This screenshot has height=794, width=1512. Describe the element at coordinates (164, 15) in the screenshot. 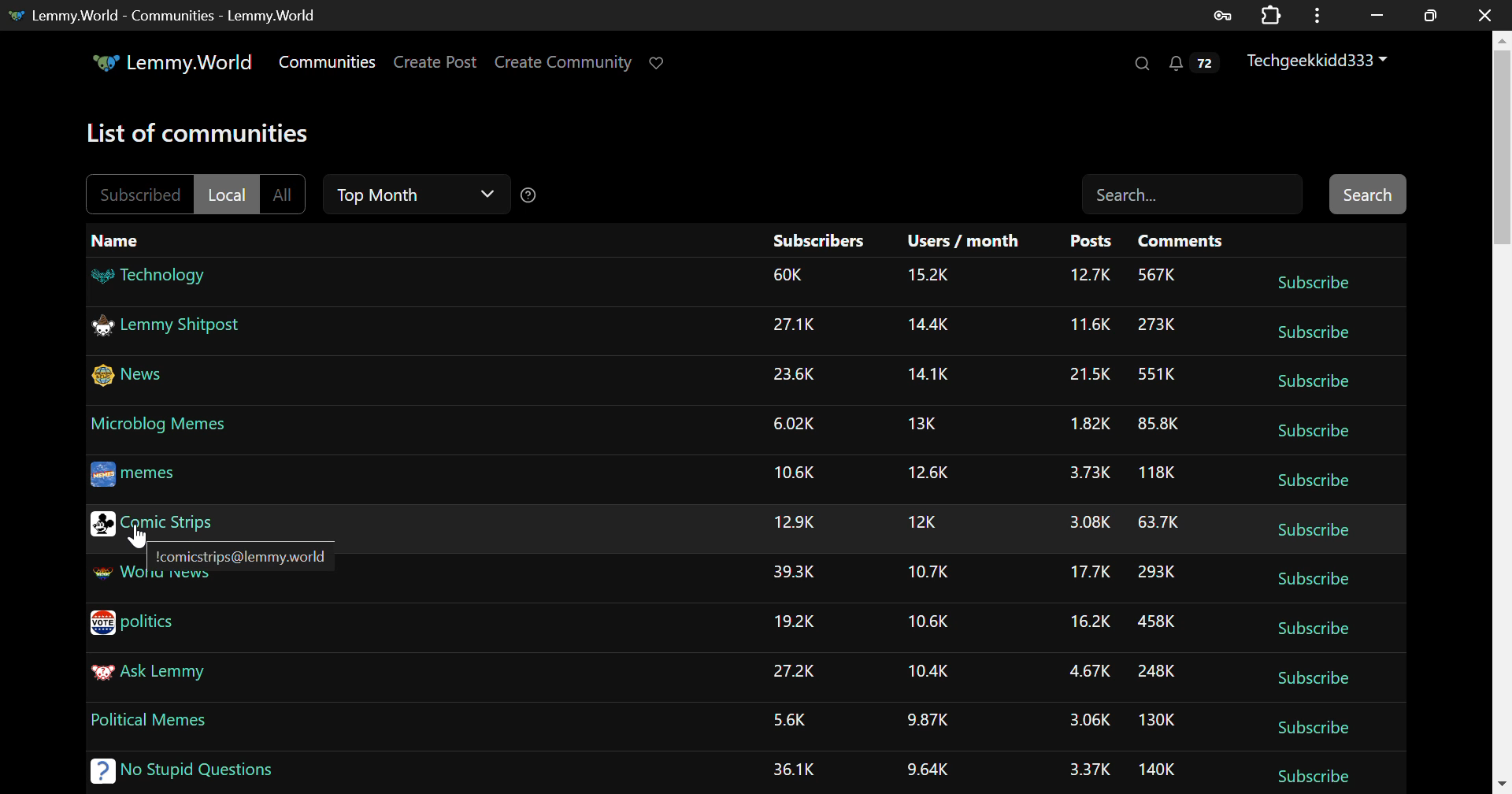

I see `Lemmy.World - Communities - Lemmy.World` at that location.